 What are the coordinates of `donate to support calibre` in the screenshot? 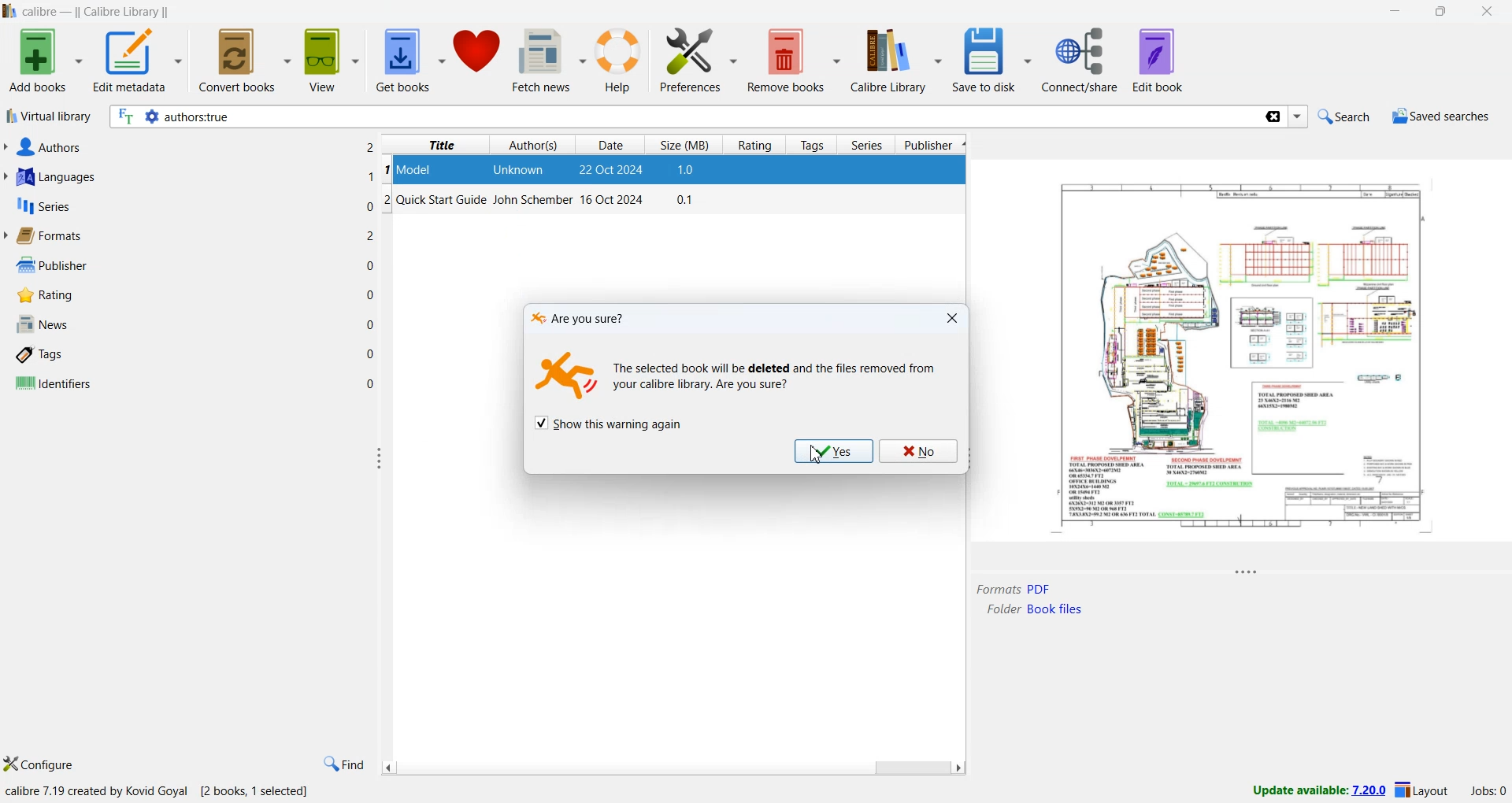 It's located at (479, 55).